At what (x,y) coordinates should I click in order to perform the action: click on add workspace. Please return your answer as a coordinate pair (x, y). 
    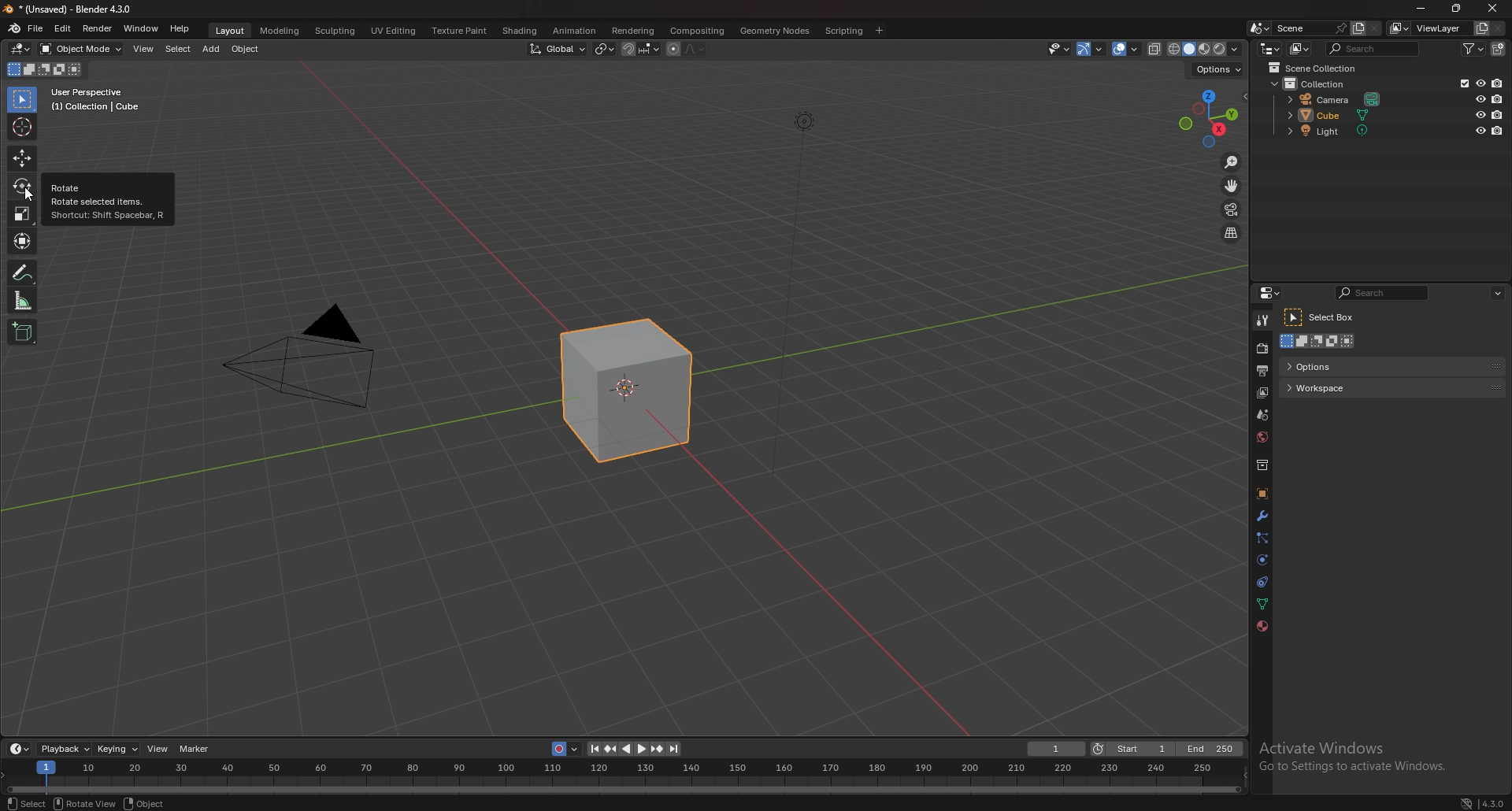
    Looking at the image, I should click on (880, 30).